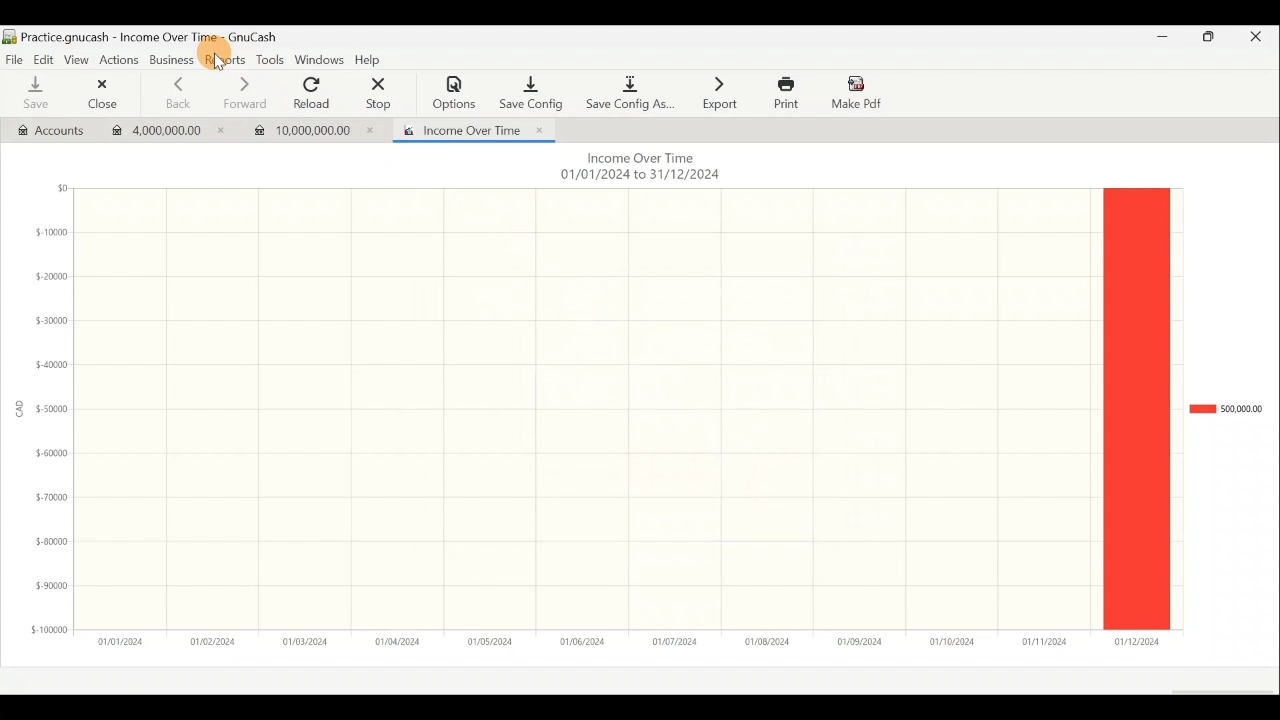 This screenshot has width=1280, height=720. I want to click on Back, so click(176, 93).